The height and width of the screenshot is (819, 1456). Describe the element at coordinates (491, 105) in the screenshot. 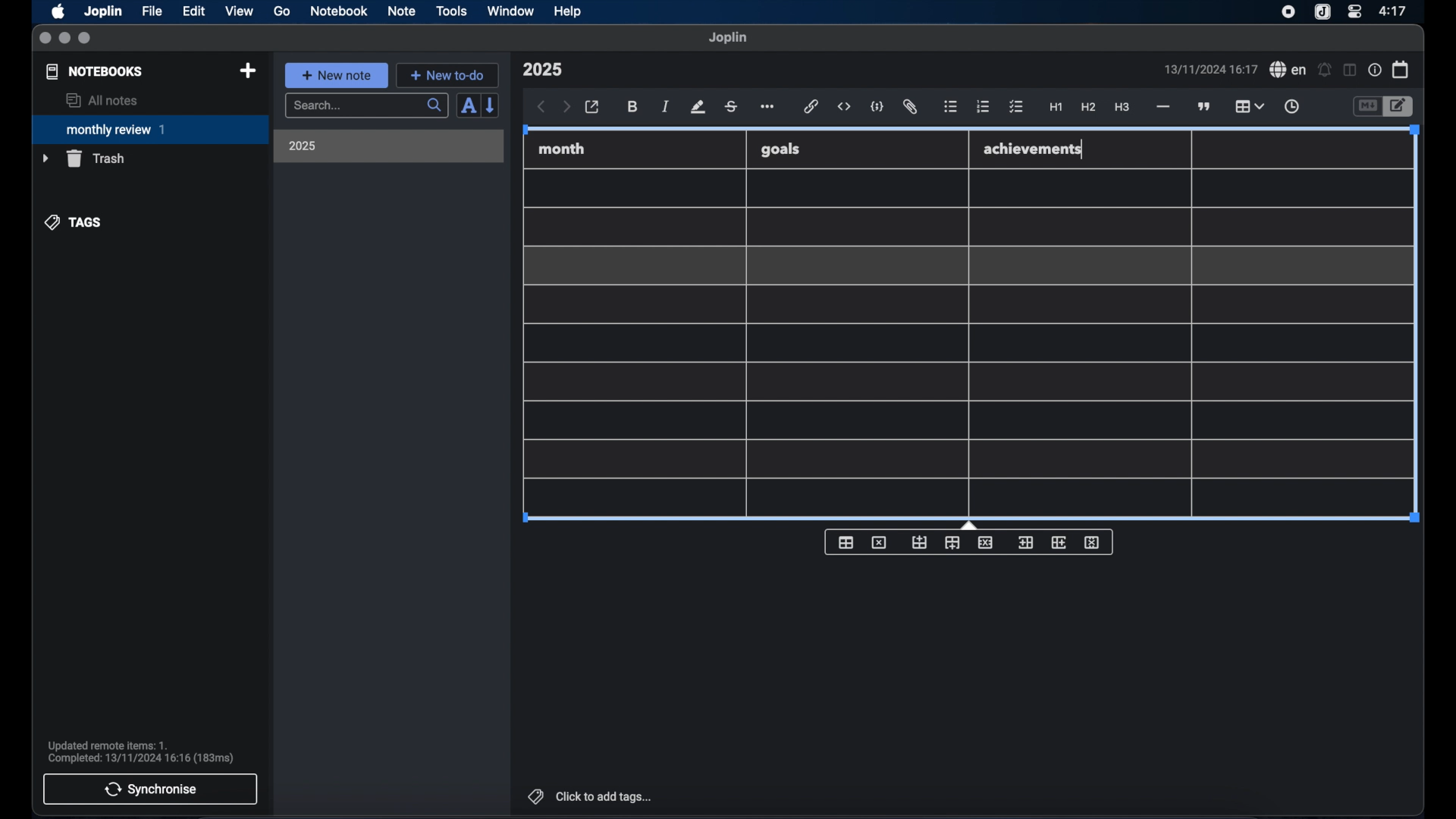

I see `reverse sort order` at that location.